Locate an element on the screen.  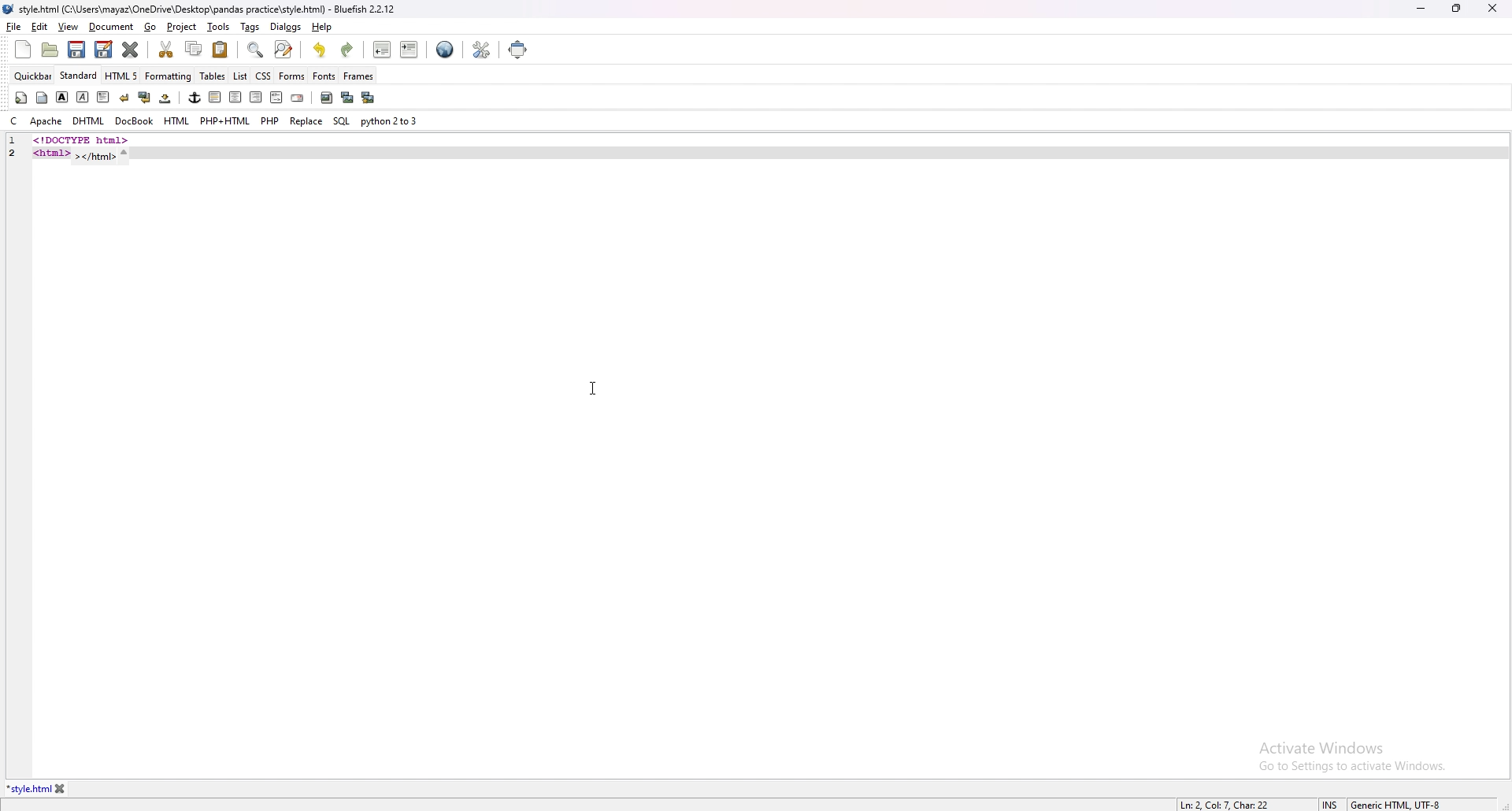
tags is located at coordinates (251, 27).